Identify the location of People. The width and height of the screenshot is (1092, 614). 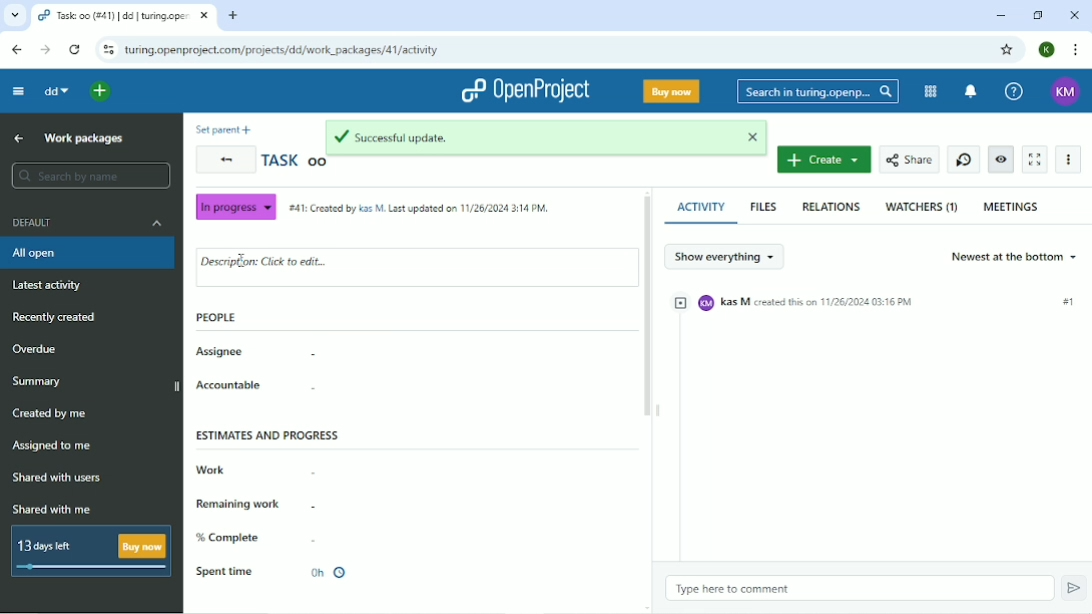
(216, 316).